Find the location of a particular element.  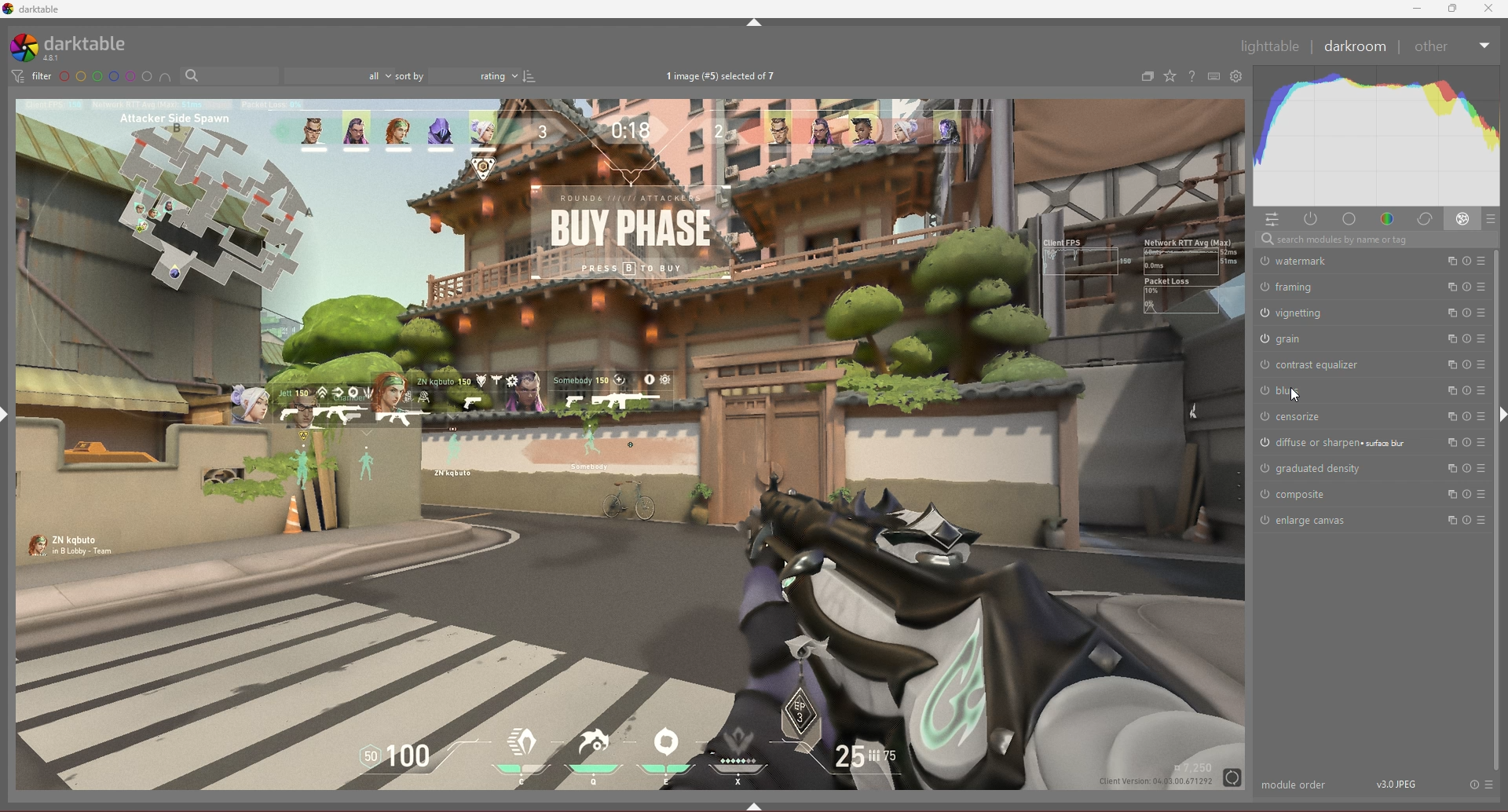

presets is located at coordinates (1481, 287).